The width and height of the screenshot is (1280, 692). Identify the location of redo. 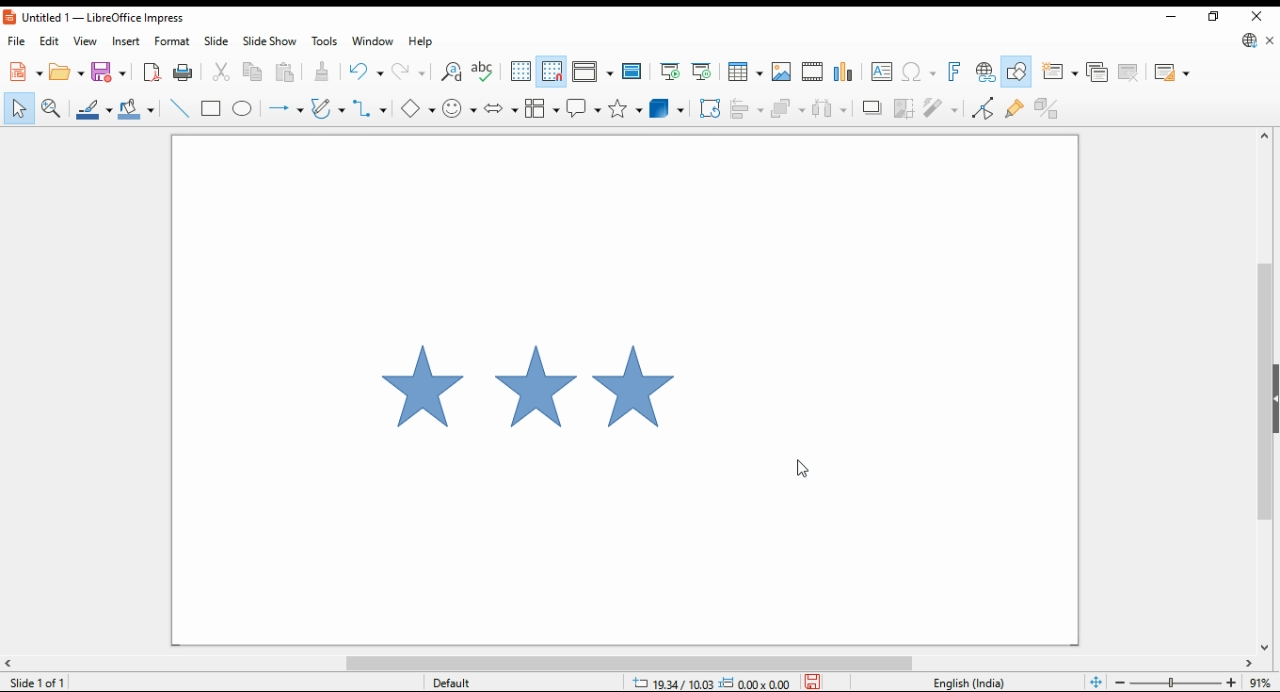
(410, 70).